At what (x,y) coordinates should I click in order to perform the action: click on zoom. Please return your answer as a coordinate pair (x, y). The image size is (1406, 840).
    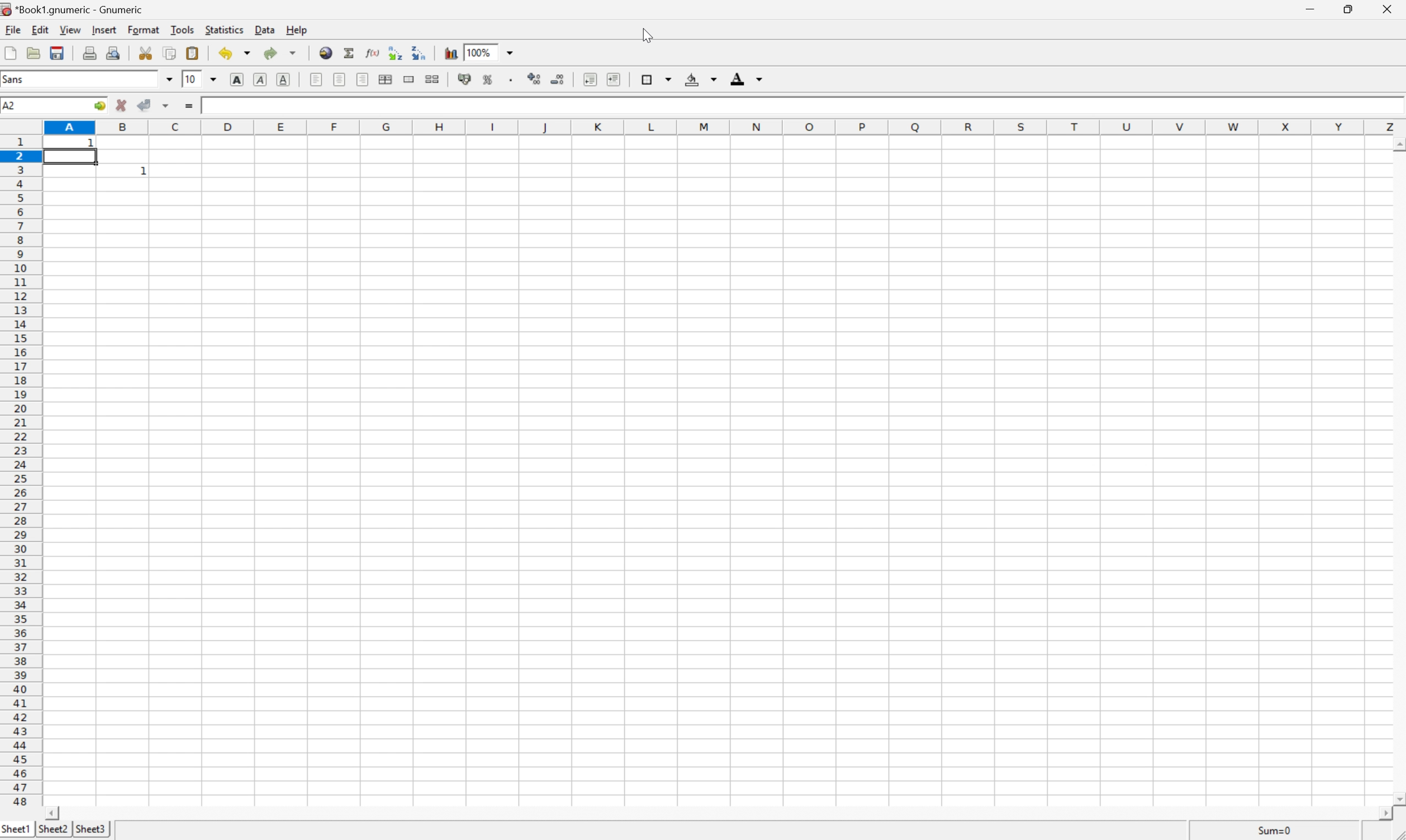
    Looking at the image, I should click on (490, 52).